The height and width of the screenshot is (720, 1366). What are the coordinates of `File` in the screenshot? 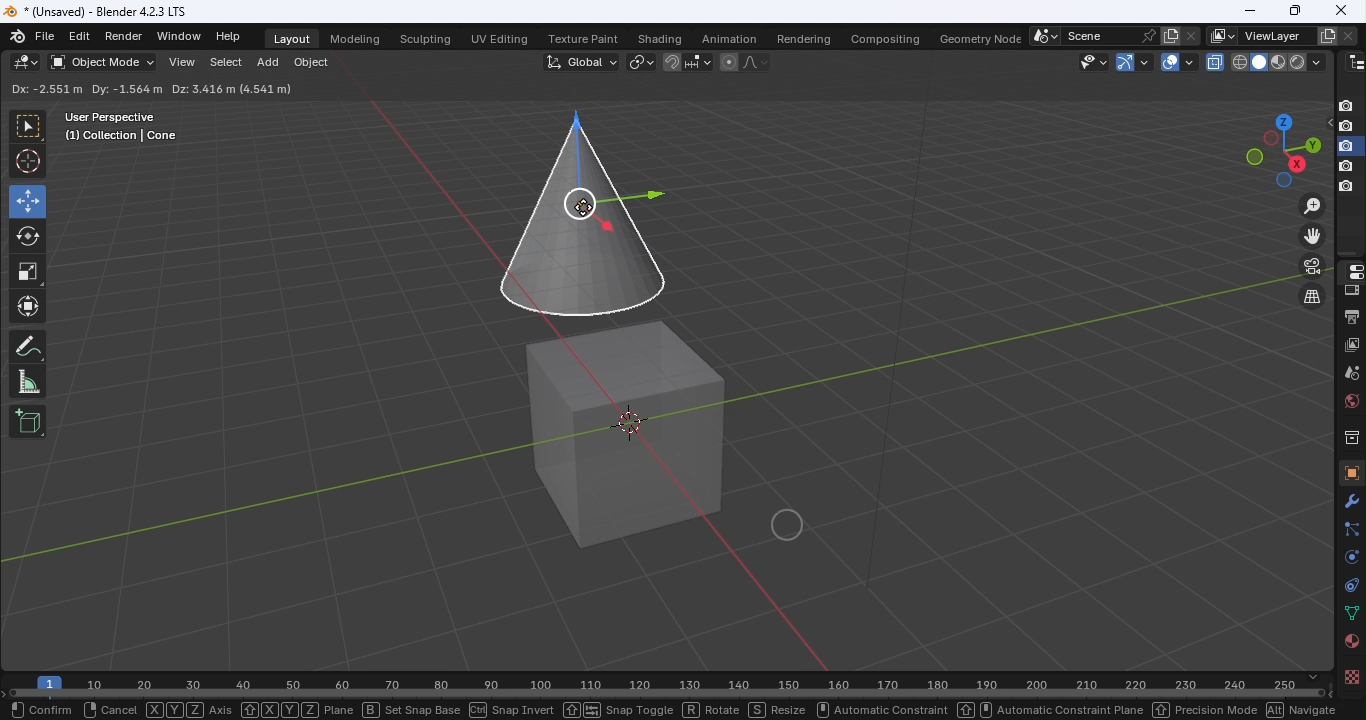 It's located at (46, 37).